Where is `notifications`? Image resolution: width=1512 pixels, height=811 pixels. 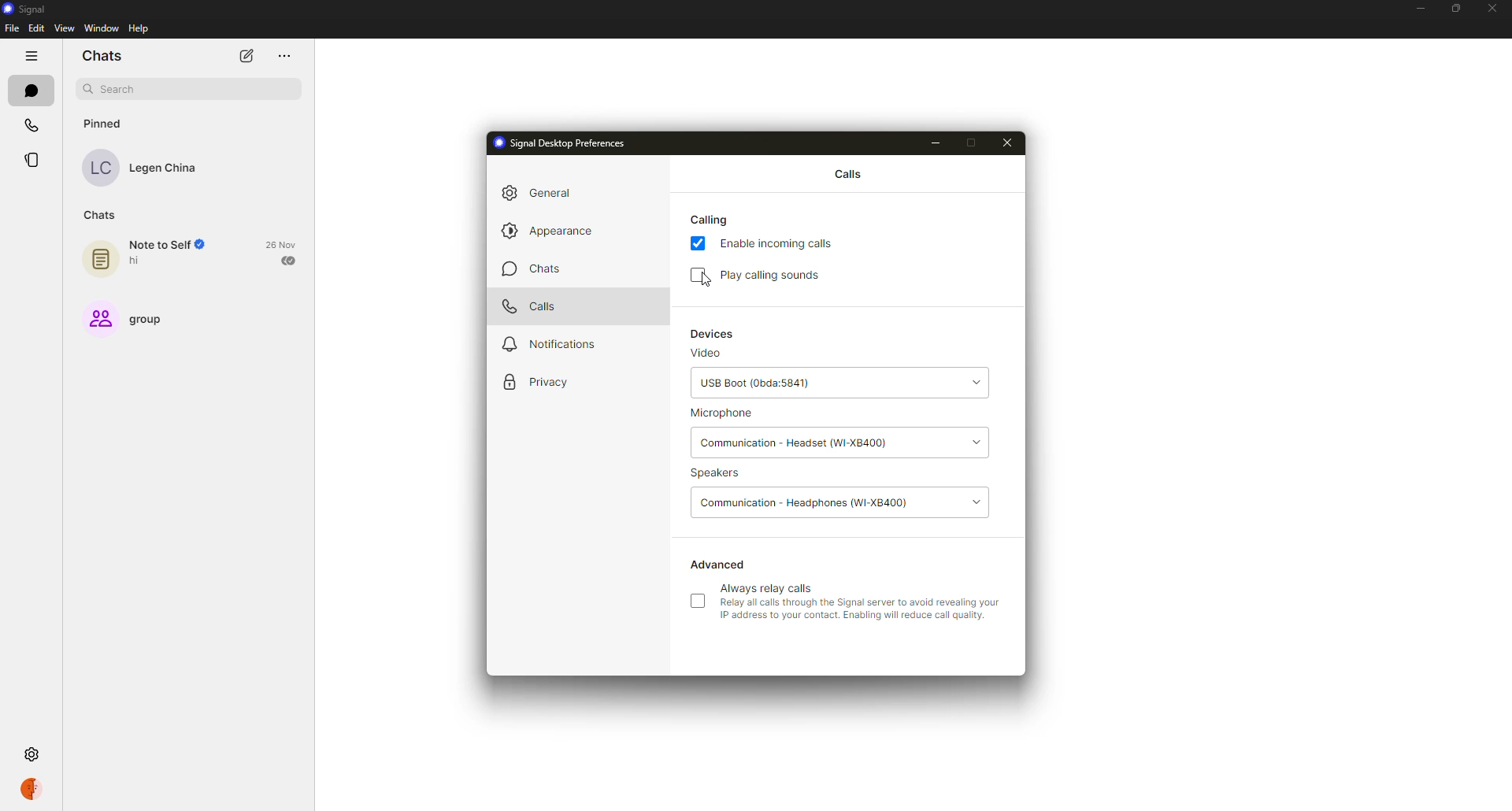 notifications is located at coordinates (561, 343).